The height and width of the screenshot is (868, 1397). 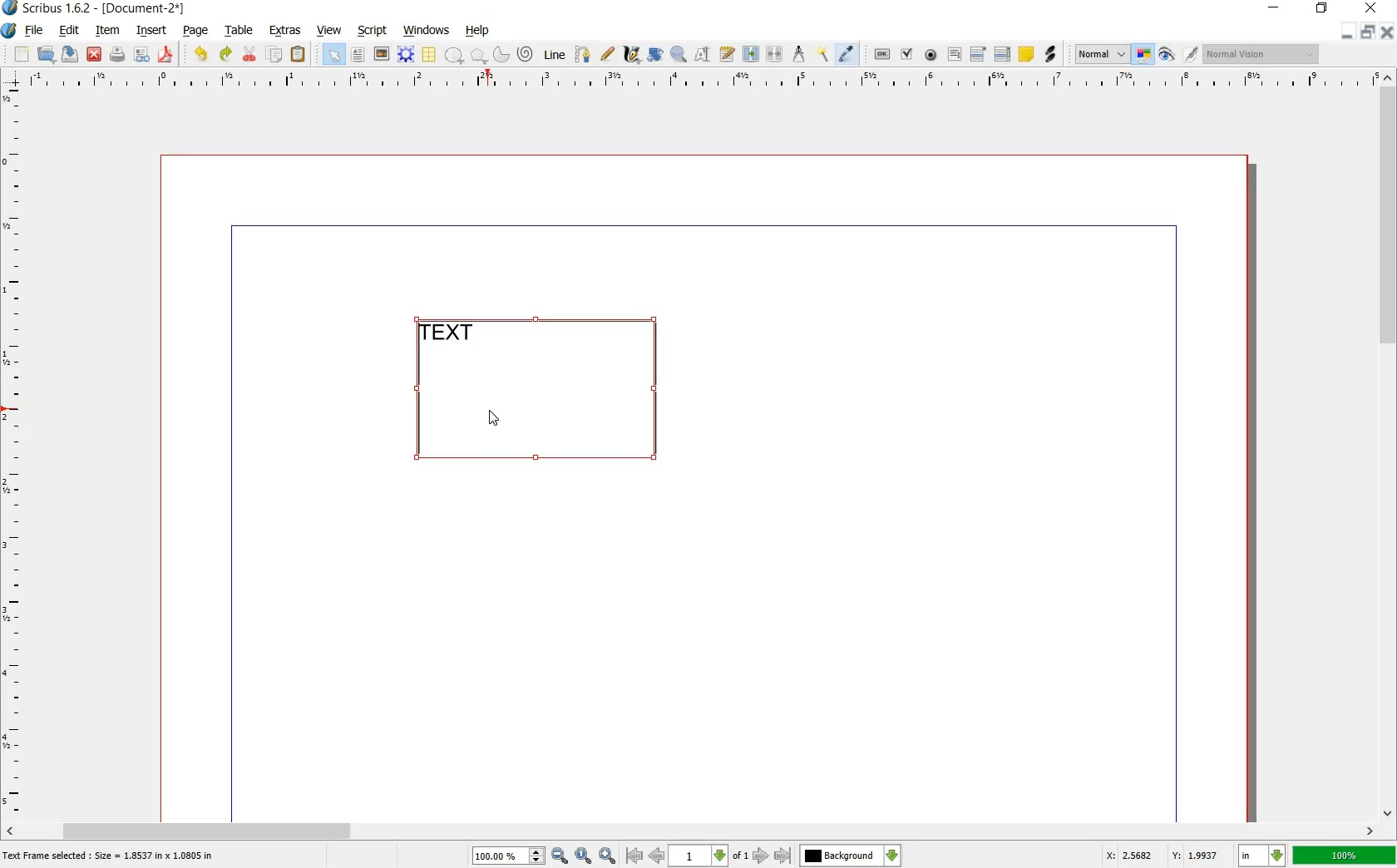 I want to click on undo, so click(x=203, y=55).